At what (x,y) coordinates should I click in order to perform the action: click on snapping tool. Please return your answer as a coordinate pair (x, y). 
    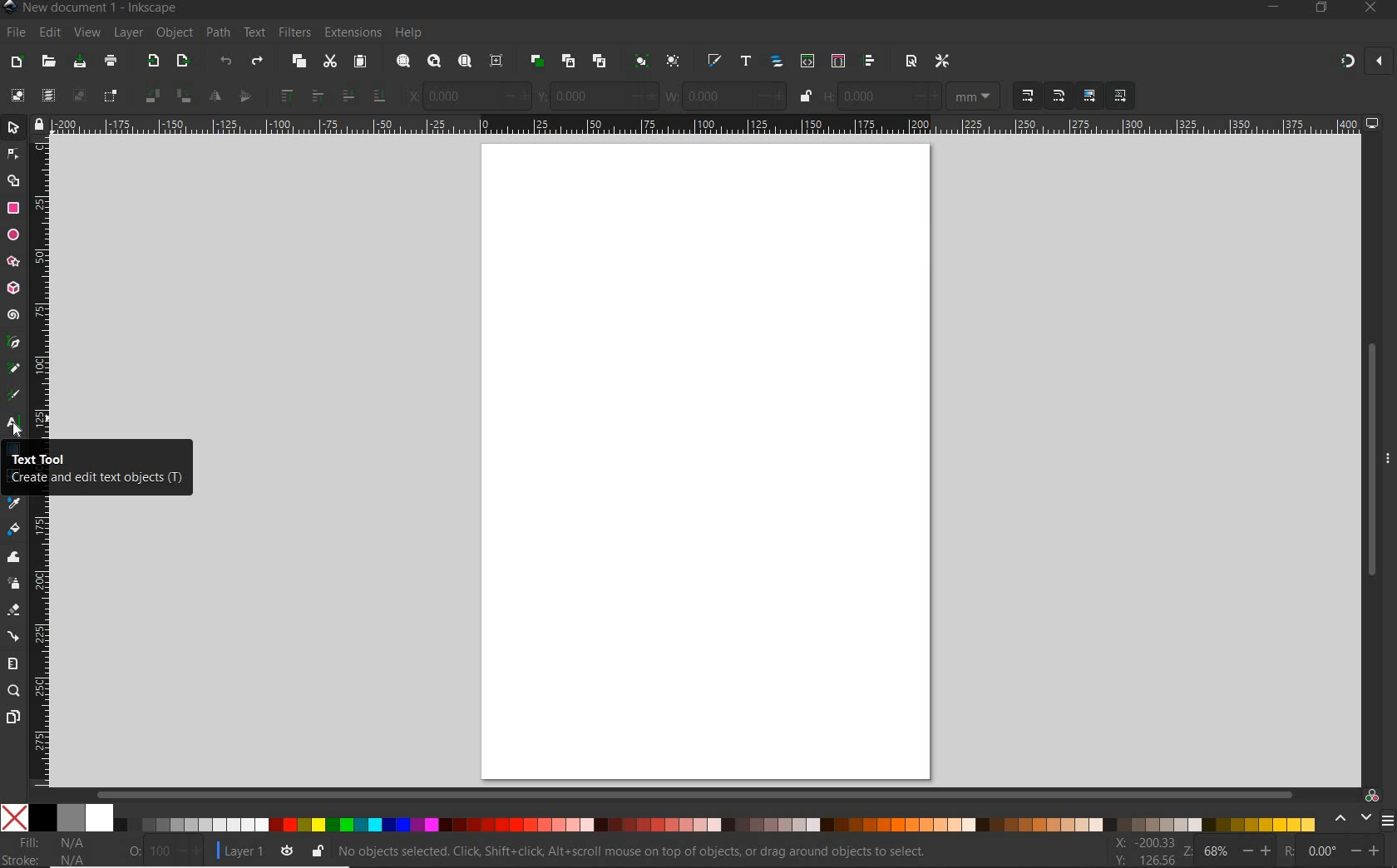
    Looking at the image, I should click on (1345, 62).